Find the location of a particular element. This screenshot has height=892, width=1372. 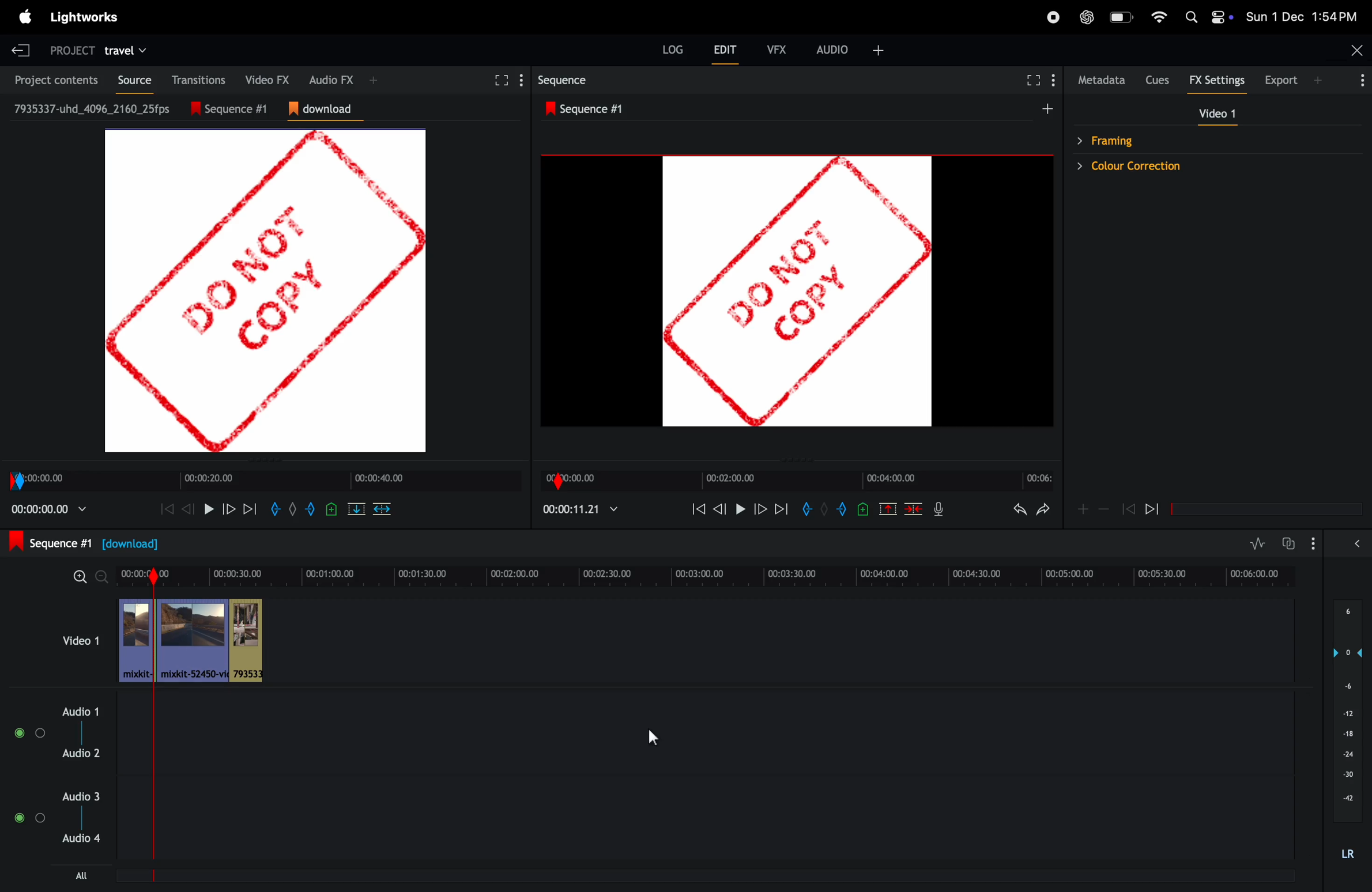

toggle audio editing levels is located at coordinates (1257, 543).